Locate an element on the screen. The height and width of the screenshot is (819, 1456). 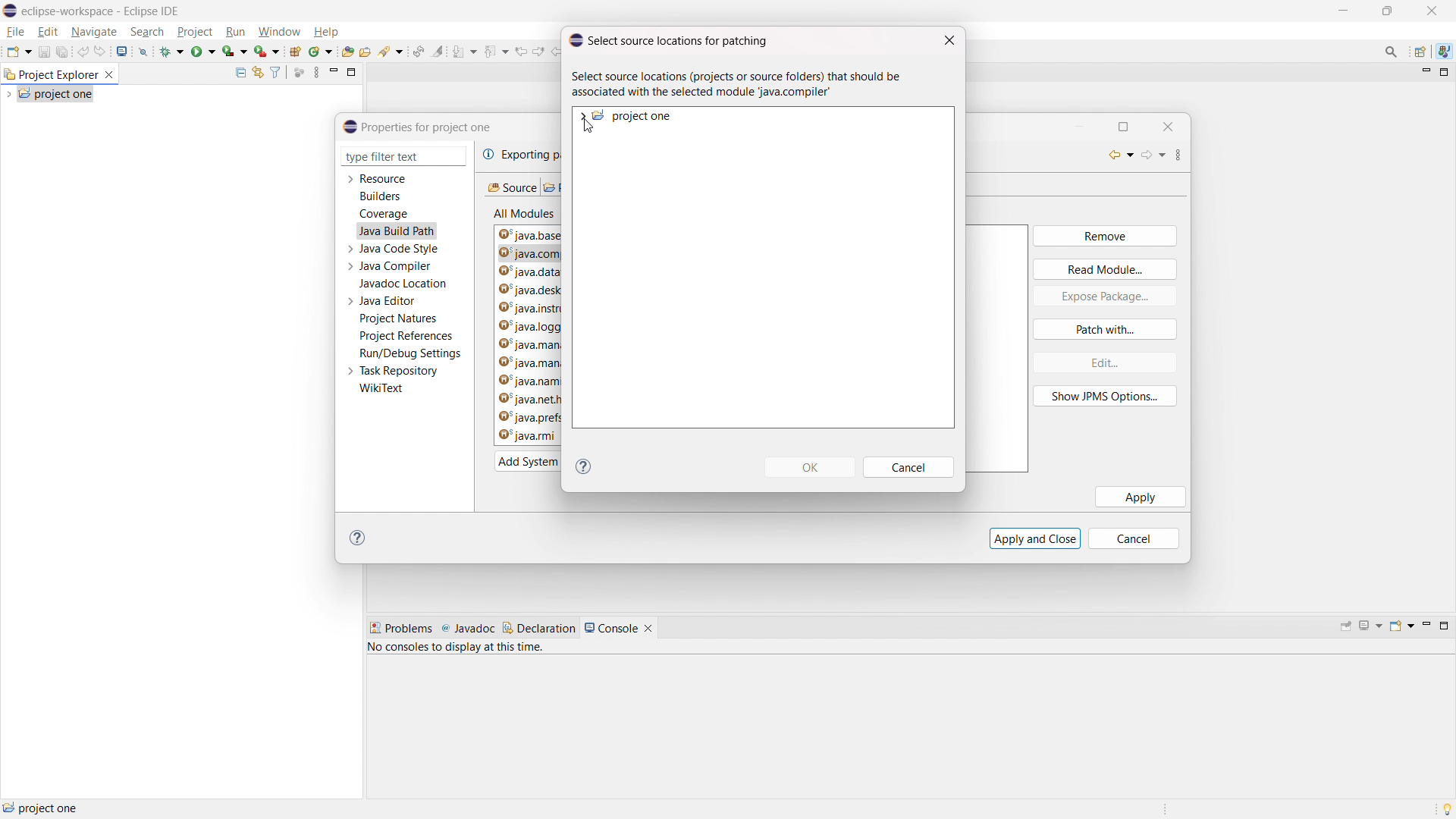
javadoc is located at coordinates (468, 629).